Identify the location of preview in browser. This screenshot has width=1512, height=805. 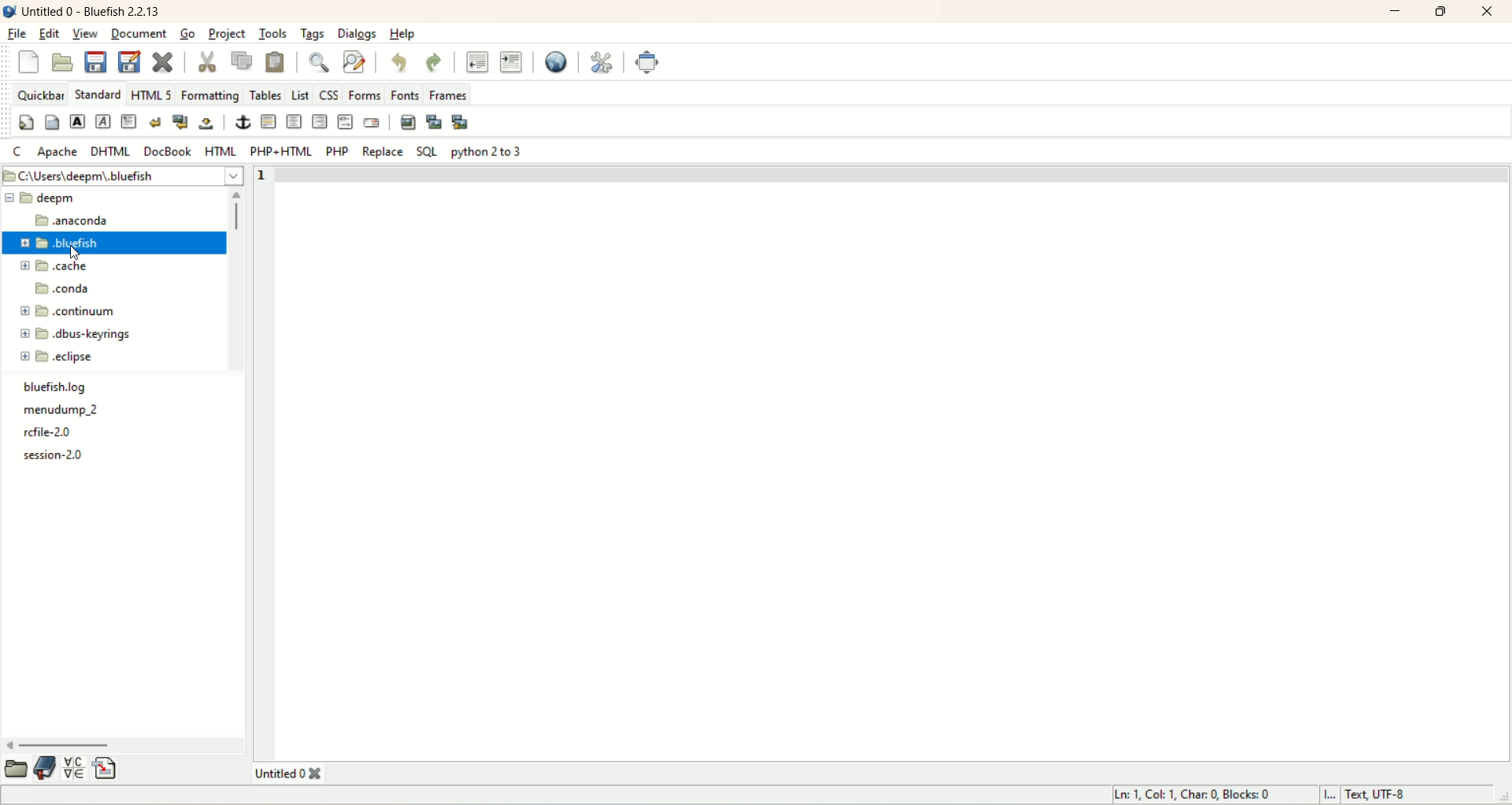
(557, 62).